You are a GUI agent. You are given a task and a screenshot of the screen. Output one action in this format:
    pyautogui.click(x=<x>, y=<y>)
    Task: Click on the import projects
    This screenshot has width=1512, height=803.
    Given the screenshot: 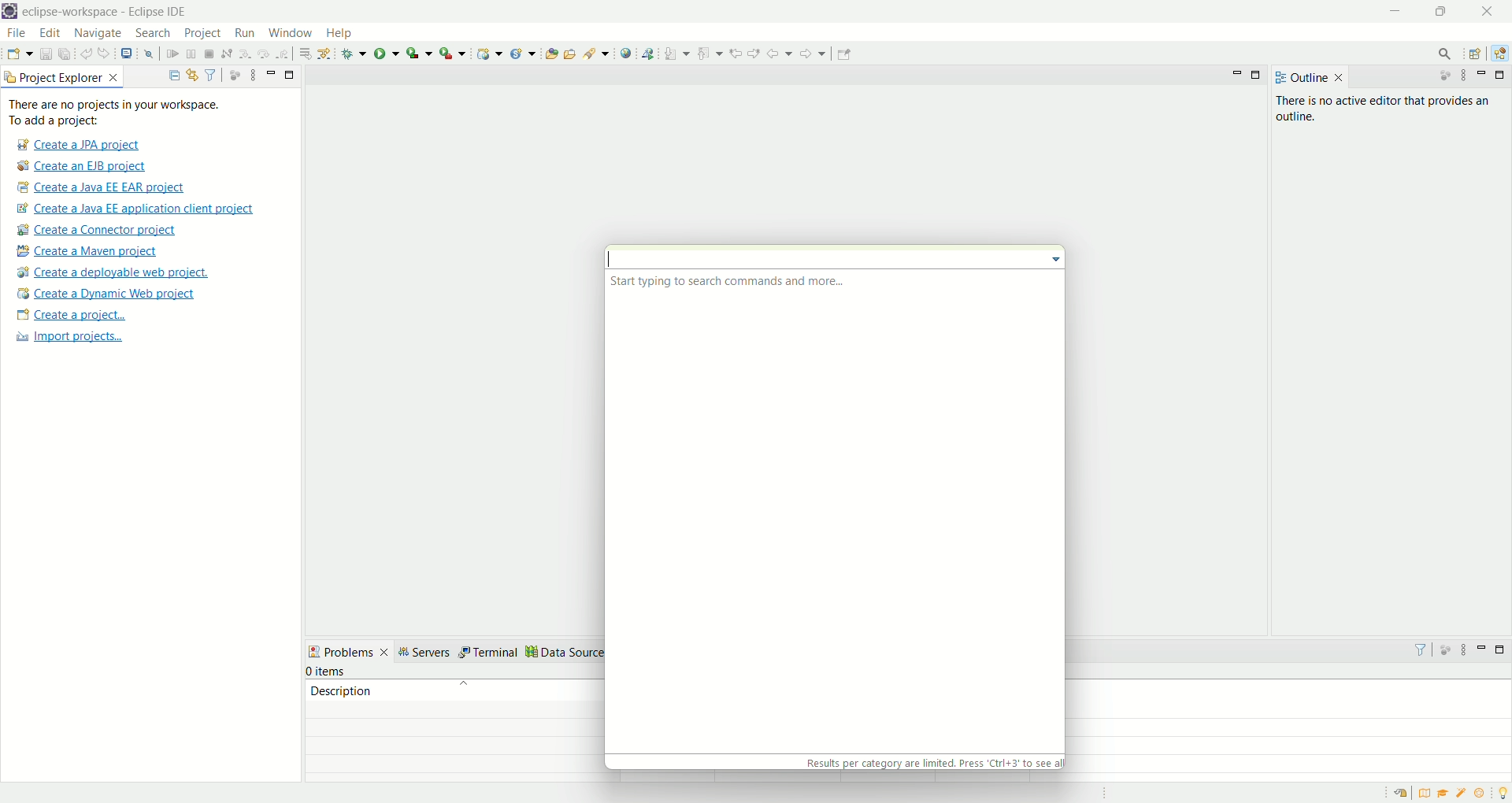 What is the action you would take?
    pyautogui.click(x=76, y=339)
    